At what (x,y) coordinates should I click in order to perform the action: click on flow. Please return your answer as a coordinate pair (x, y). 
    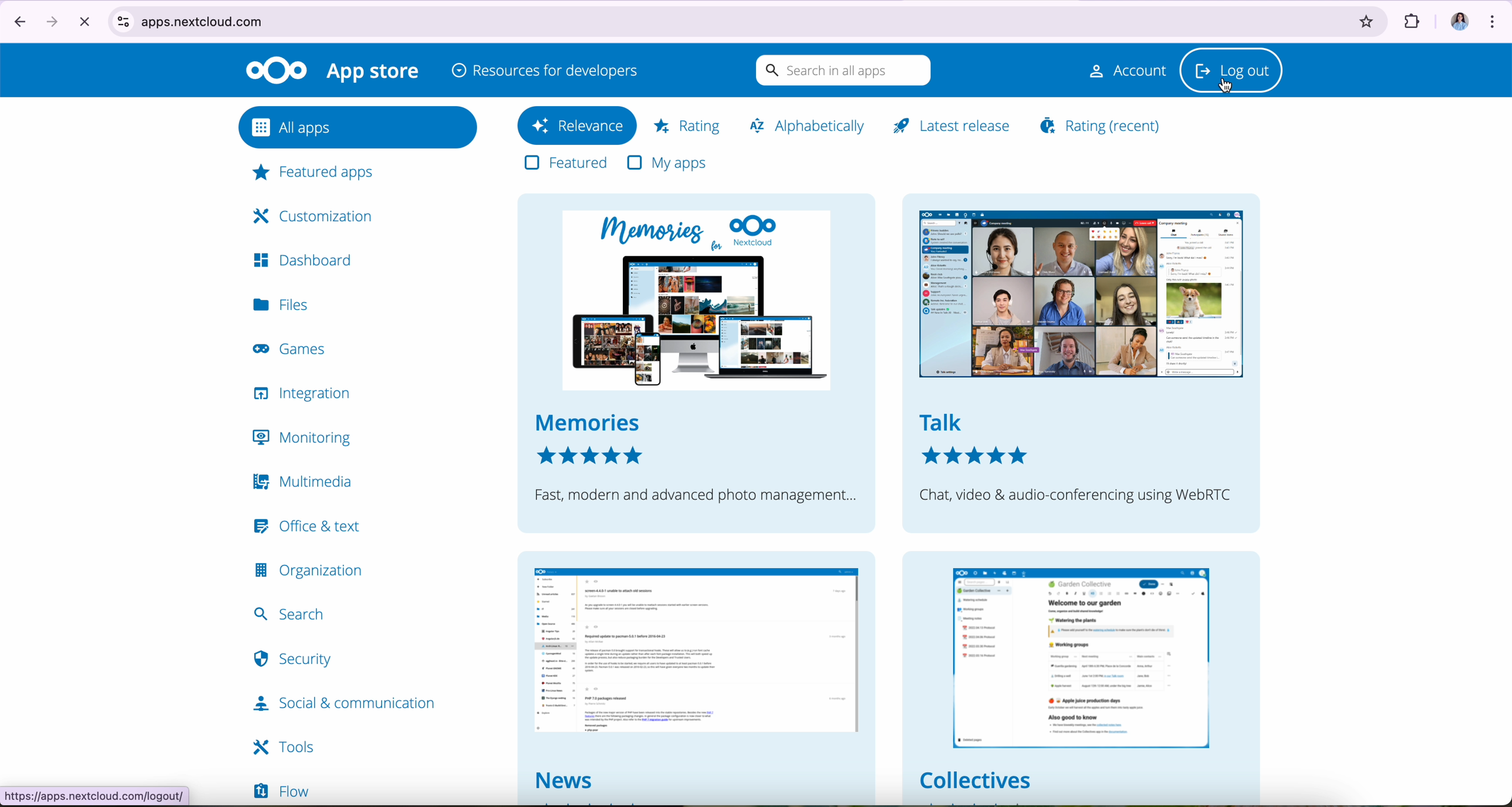
    Looking at the image, I should click on (282, 791).